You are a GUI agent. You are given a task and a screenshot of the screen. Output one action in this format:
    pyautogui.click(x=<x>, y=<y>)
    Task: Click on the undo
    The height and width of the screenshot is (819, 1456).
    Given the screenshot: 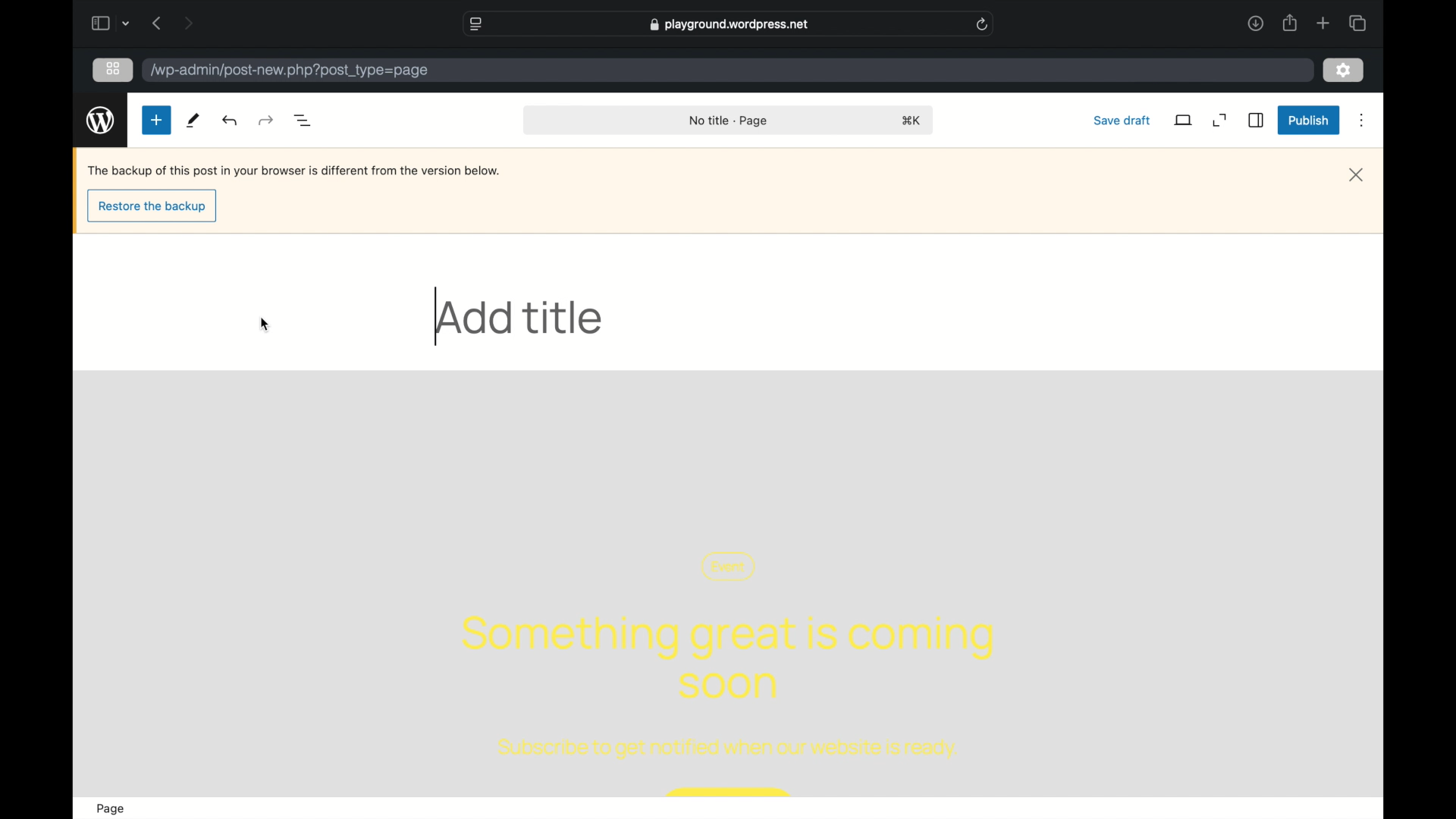 What is the action you would take?
    pyautogui.click(x=228, y=121)
    